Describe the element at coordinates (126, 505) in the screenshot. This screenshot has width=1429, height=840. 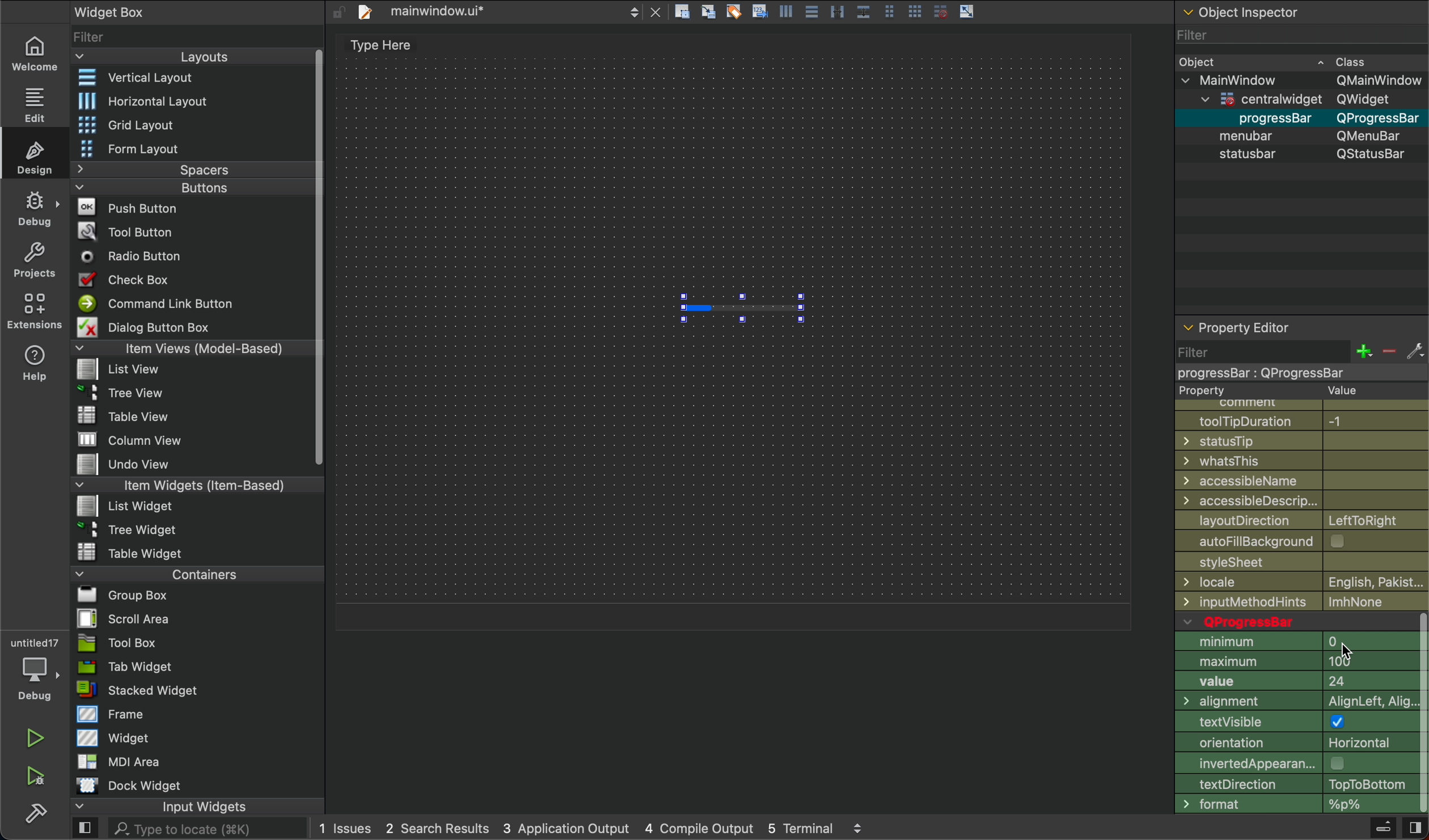
I see `File` at that location.